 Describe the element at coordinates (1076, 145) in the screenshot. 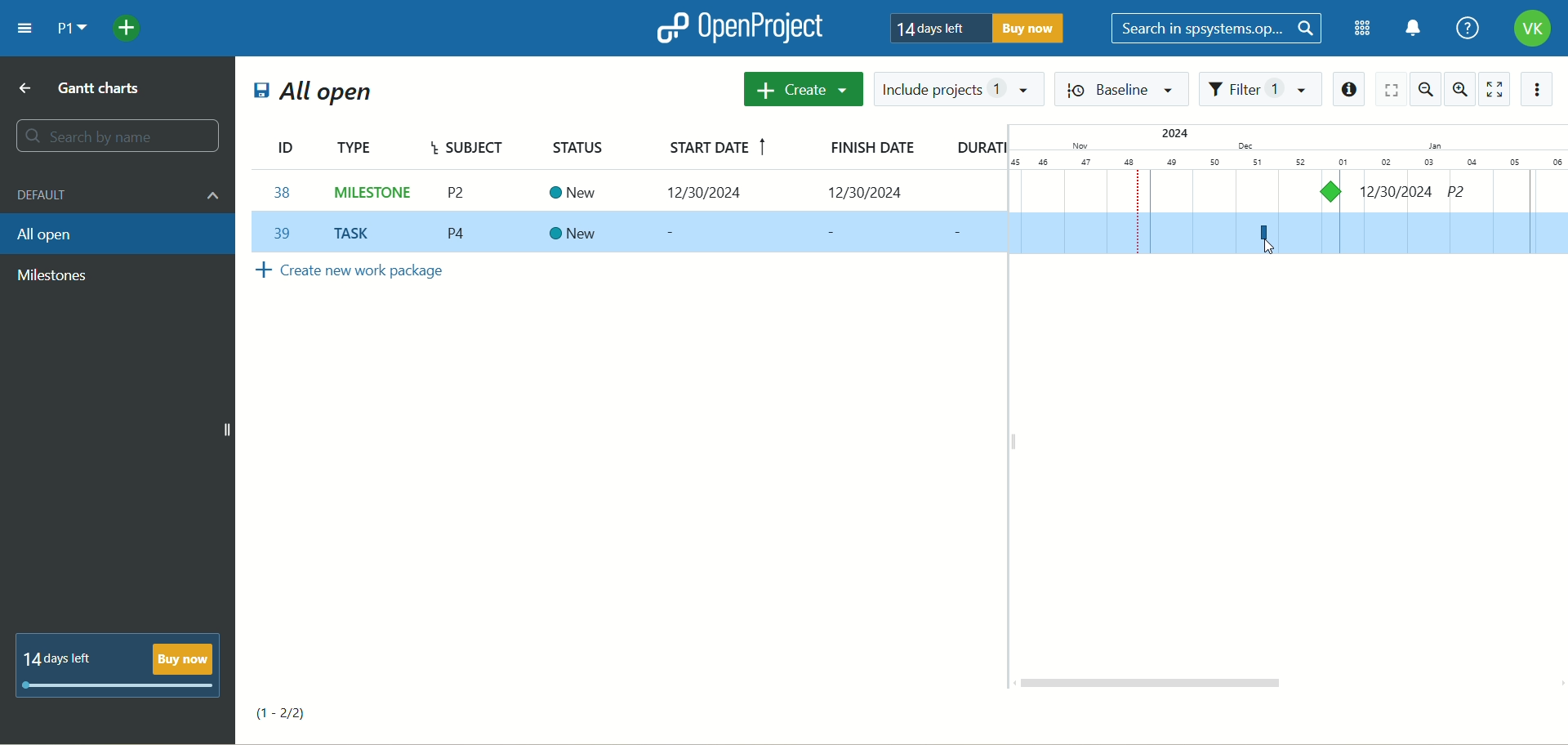

I see `Nov` at that location.